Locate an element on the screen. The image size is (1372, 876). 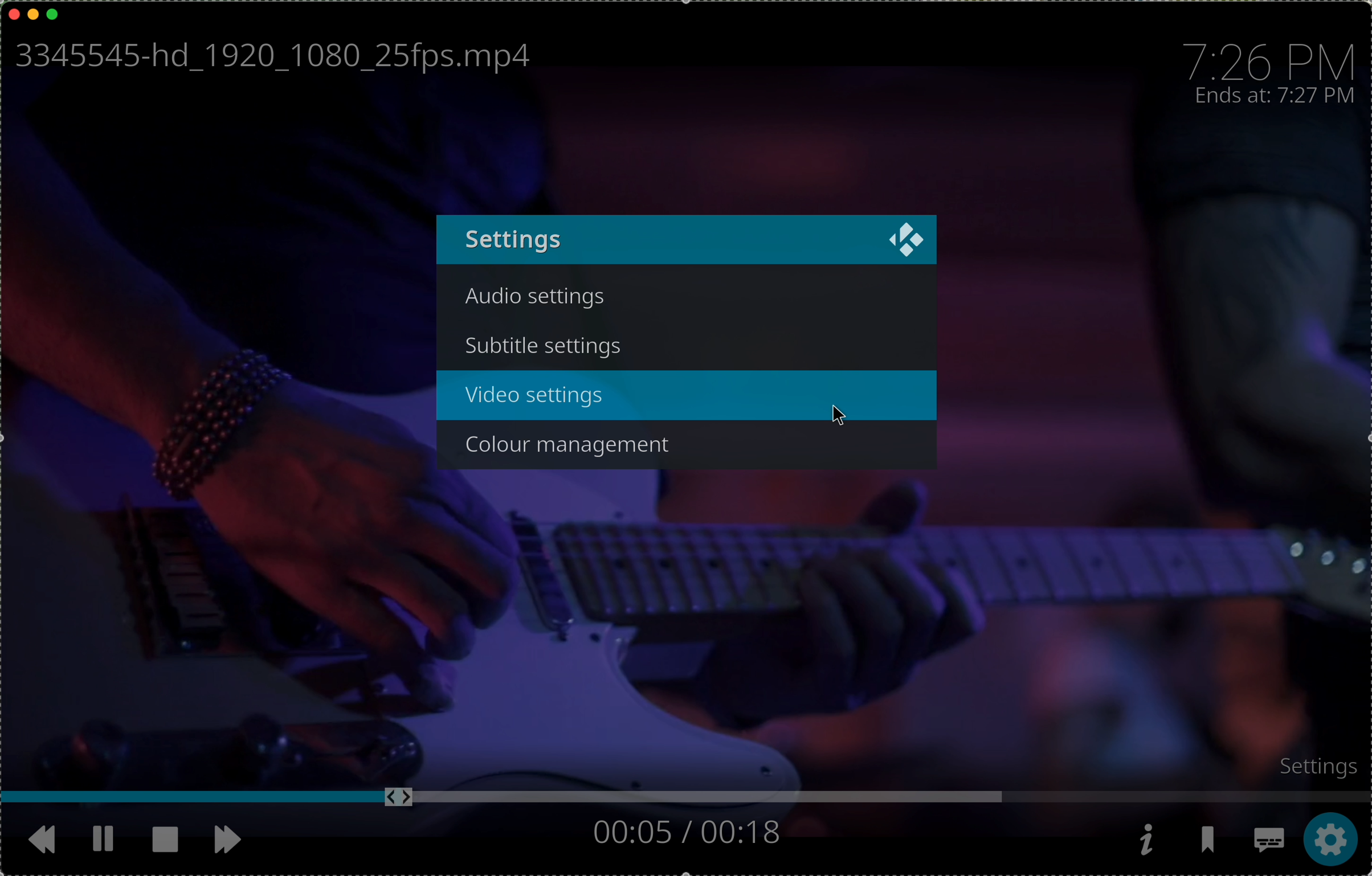
maximise is located at coordinates (54, 14).